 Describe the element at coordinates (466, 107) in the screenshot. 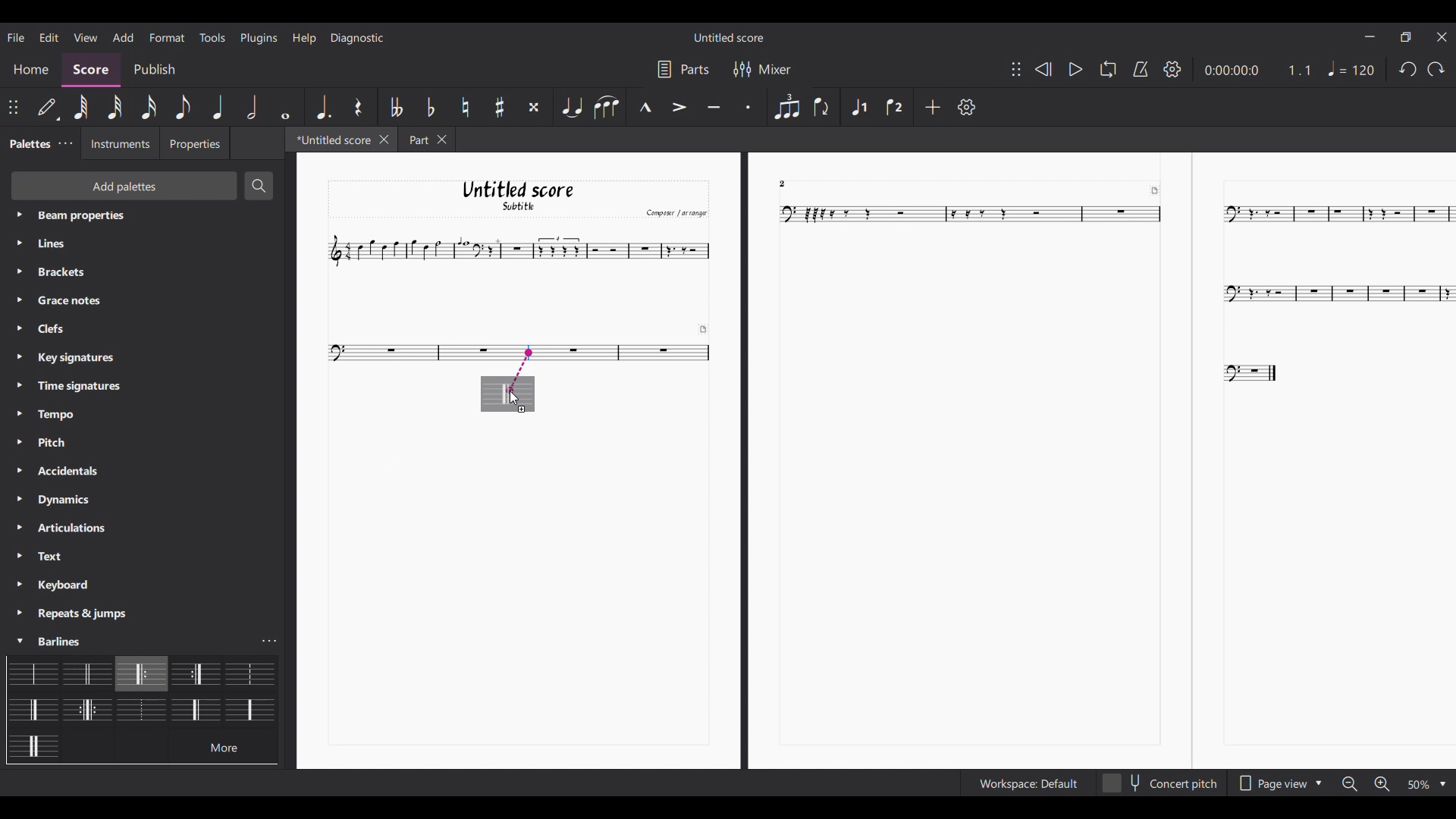

I see `Toggle natural` at that location.